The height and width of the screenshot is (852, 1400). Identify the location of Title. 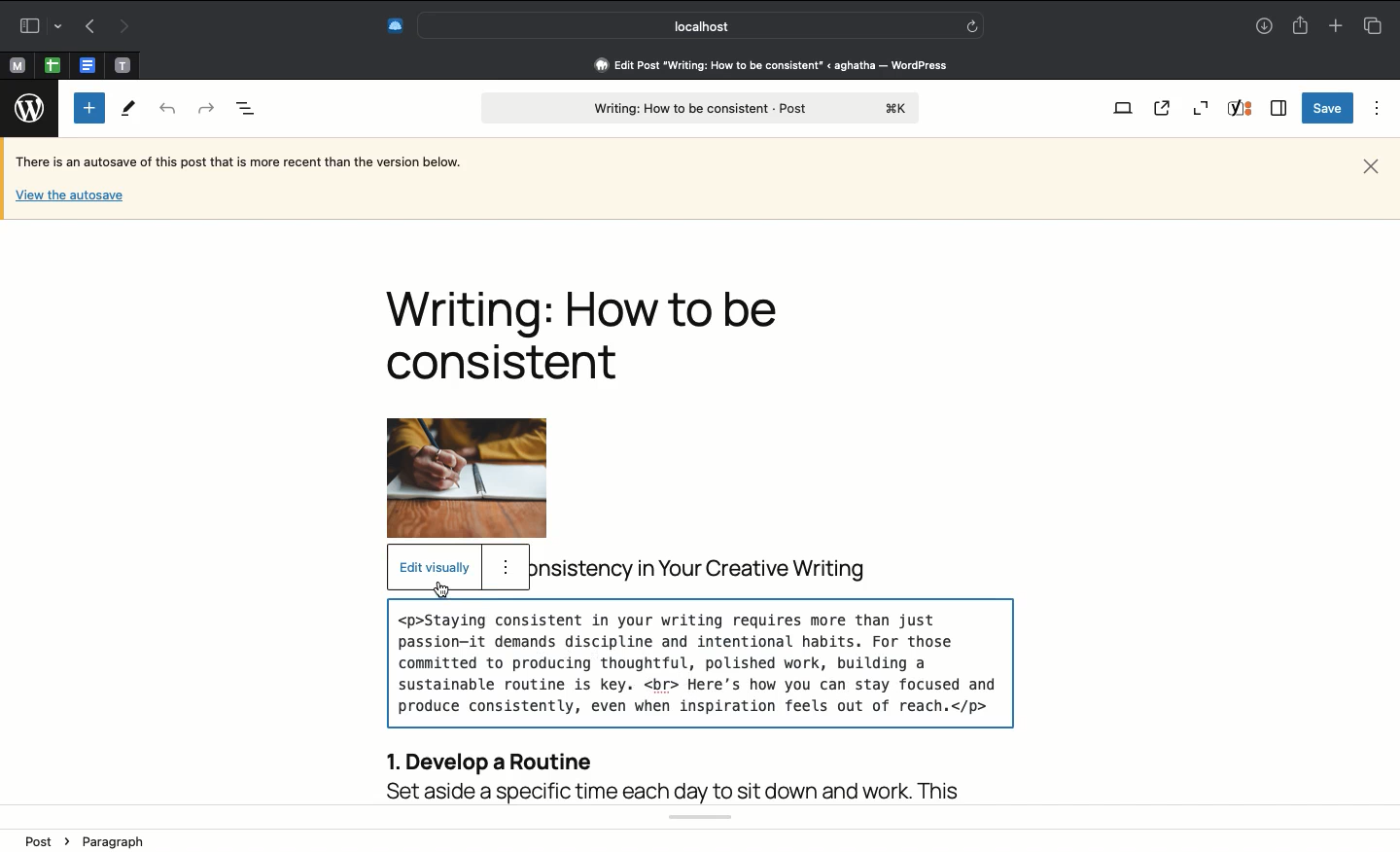
(592, 335).